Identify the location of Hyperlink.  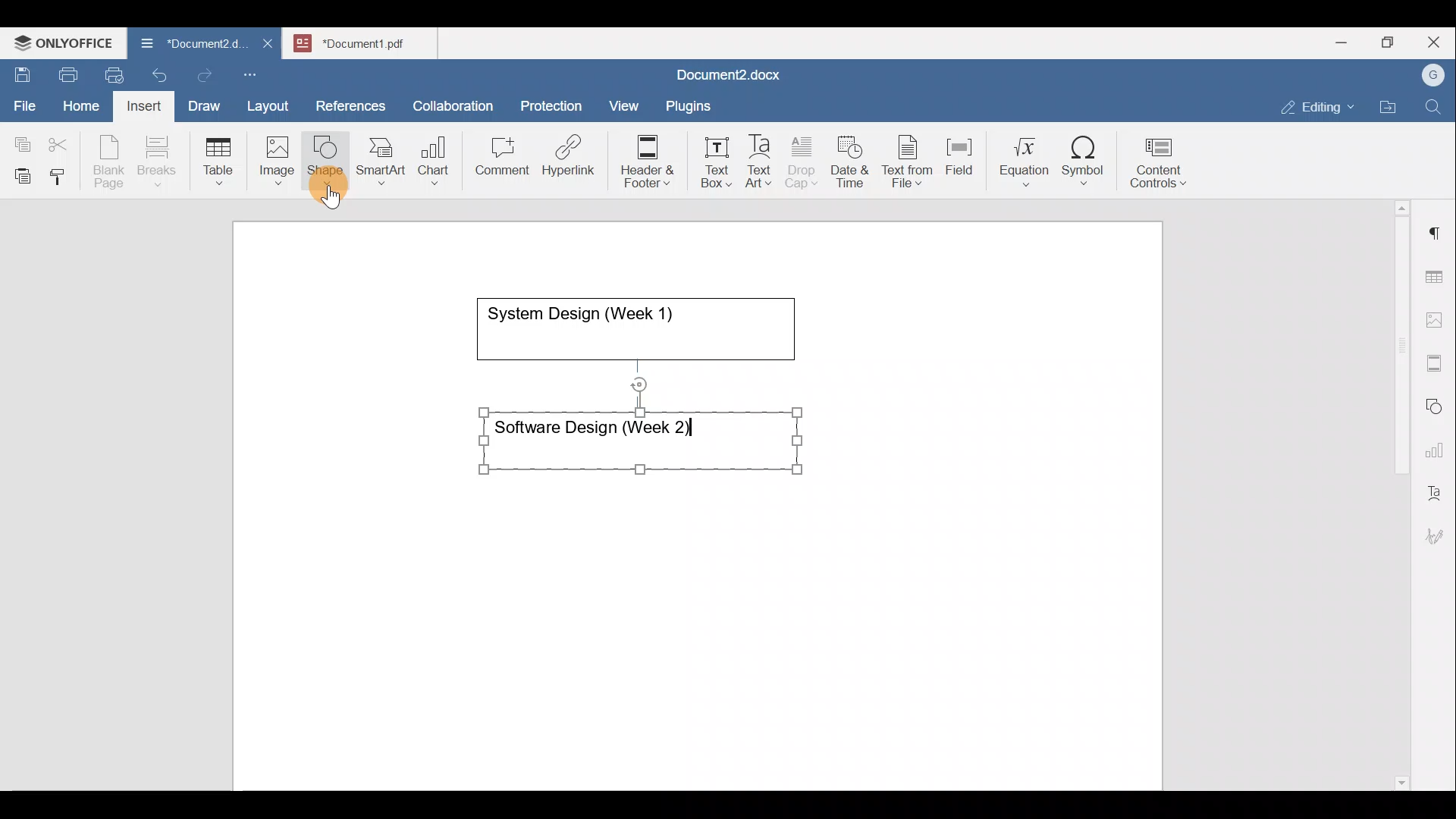
(573, 160).